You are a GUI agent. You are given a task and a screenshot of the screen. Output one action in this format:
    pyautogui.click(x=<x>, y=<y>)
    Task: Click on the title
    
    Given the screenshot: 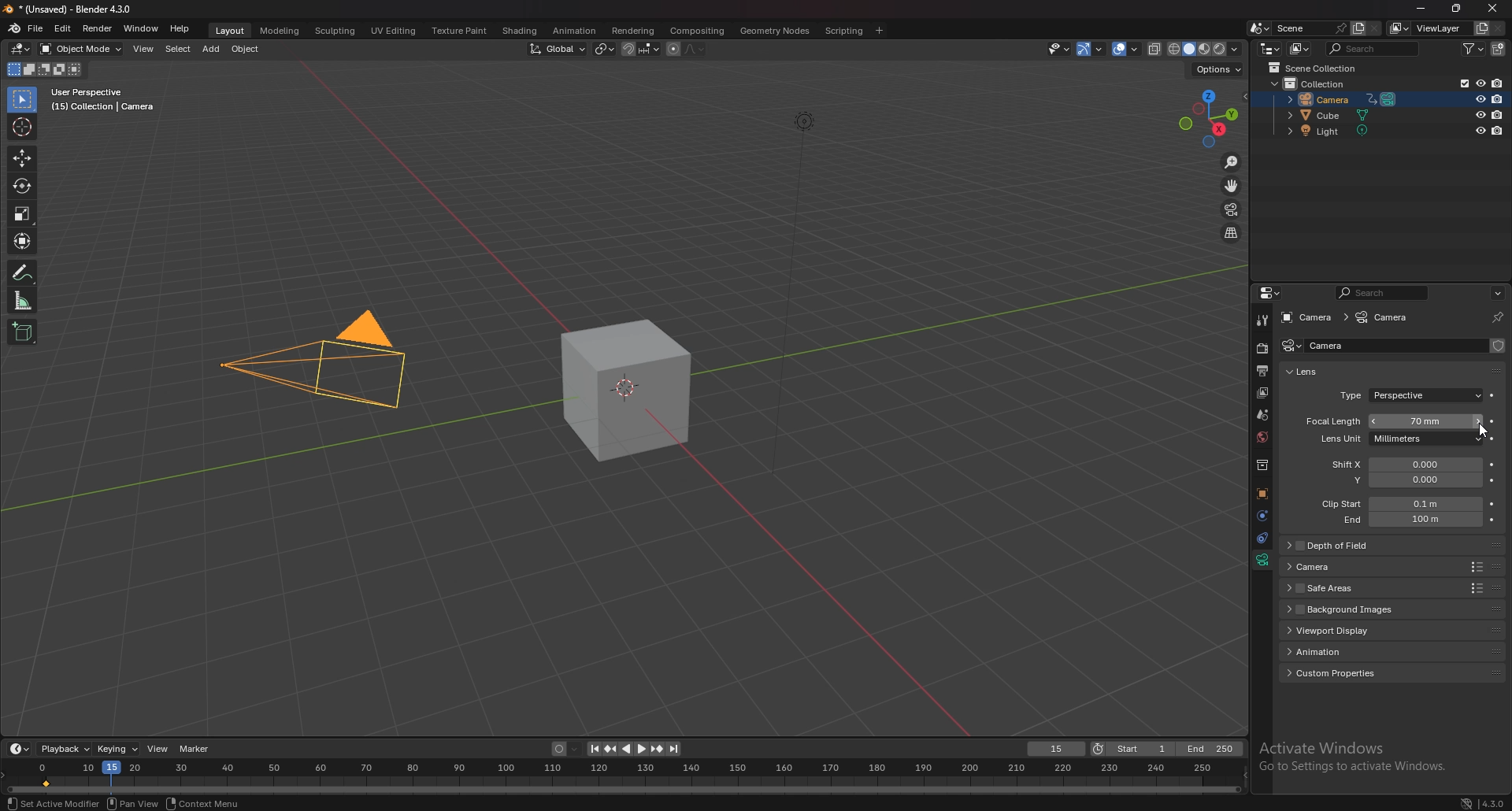 What is the action you would take?
    pyautogui.click(x=72, y=9)
    